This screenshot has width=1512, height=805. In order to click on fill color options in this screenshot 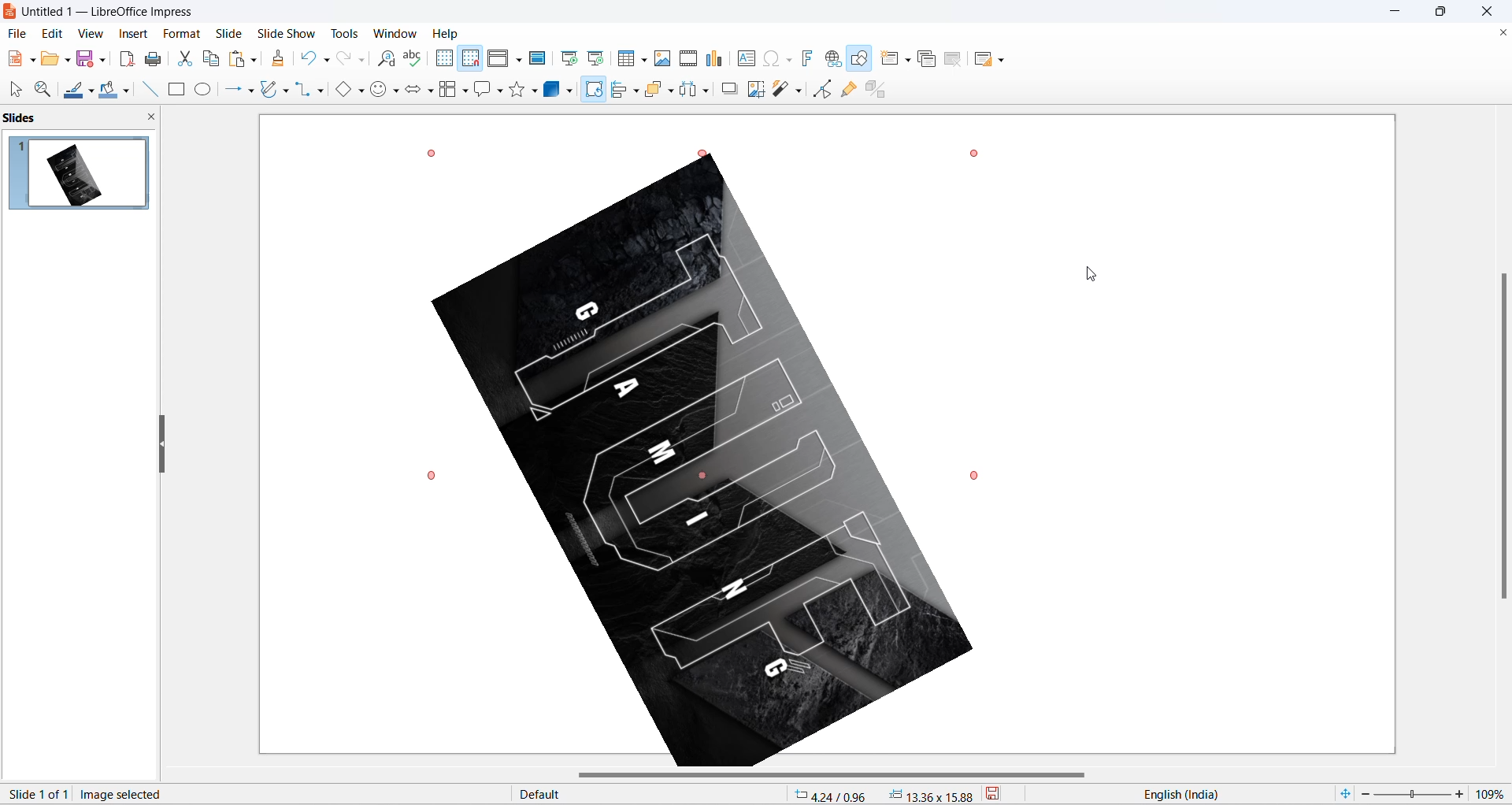, I will do `click(125, 92)`.